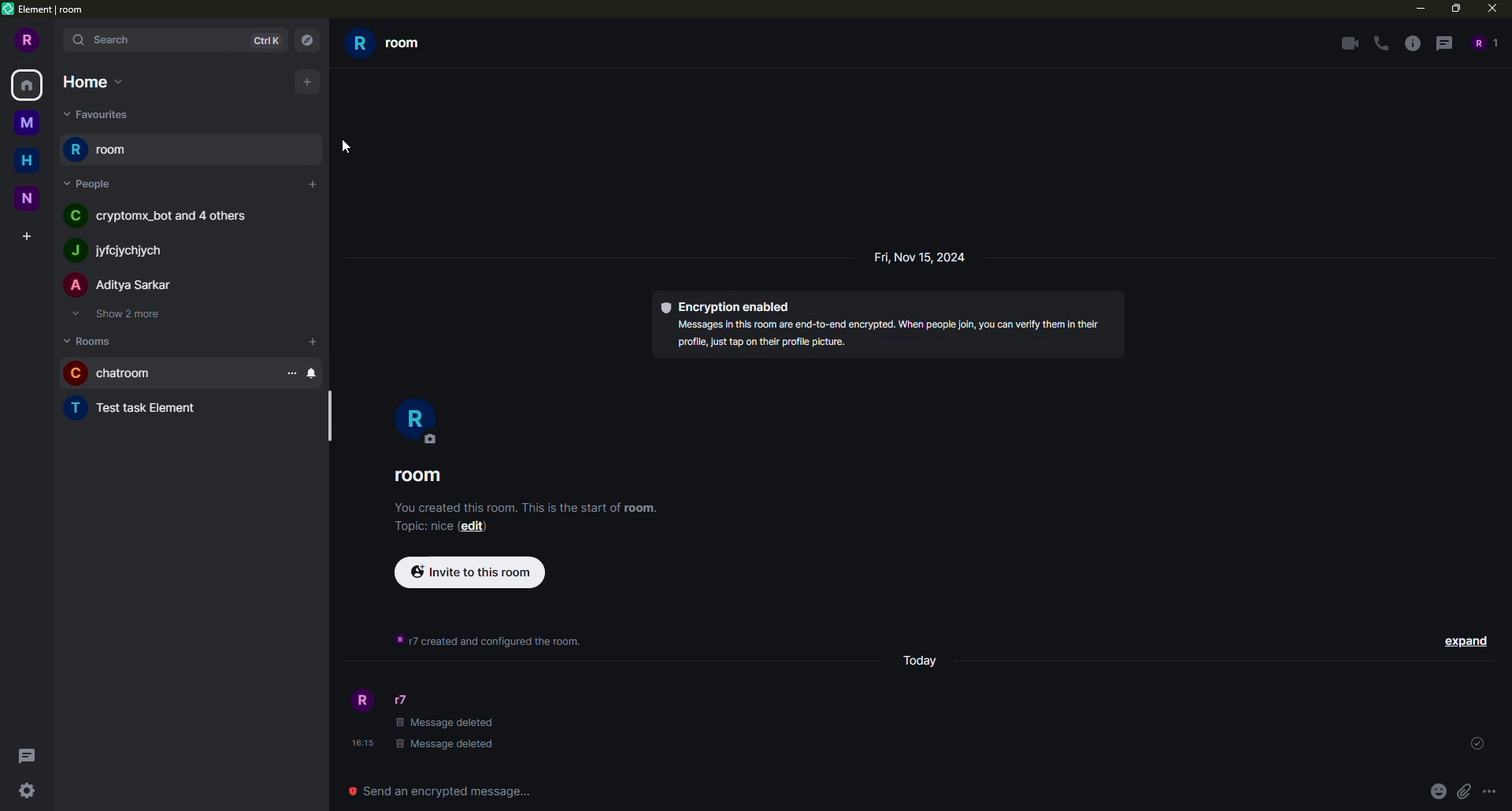 The height and width of the screenshot is (811, 1512). What do you see at coordinates (1463, 791) in the screenshot?
I see `attach` at bounding box center [1463, 791].